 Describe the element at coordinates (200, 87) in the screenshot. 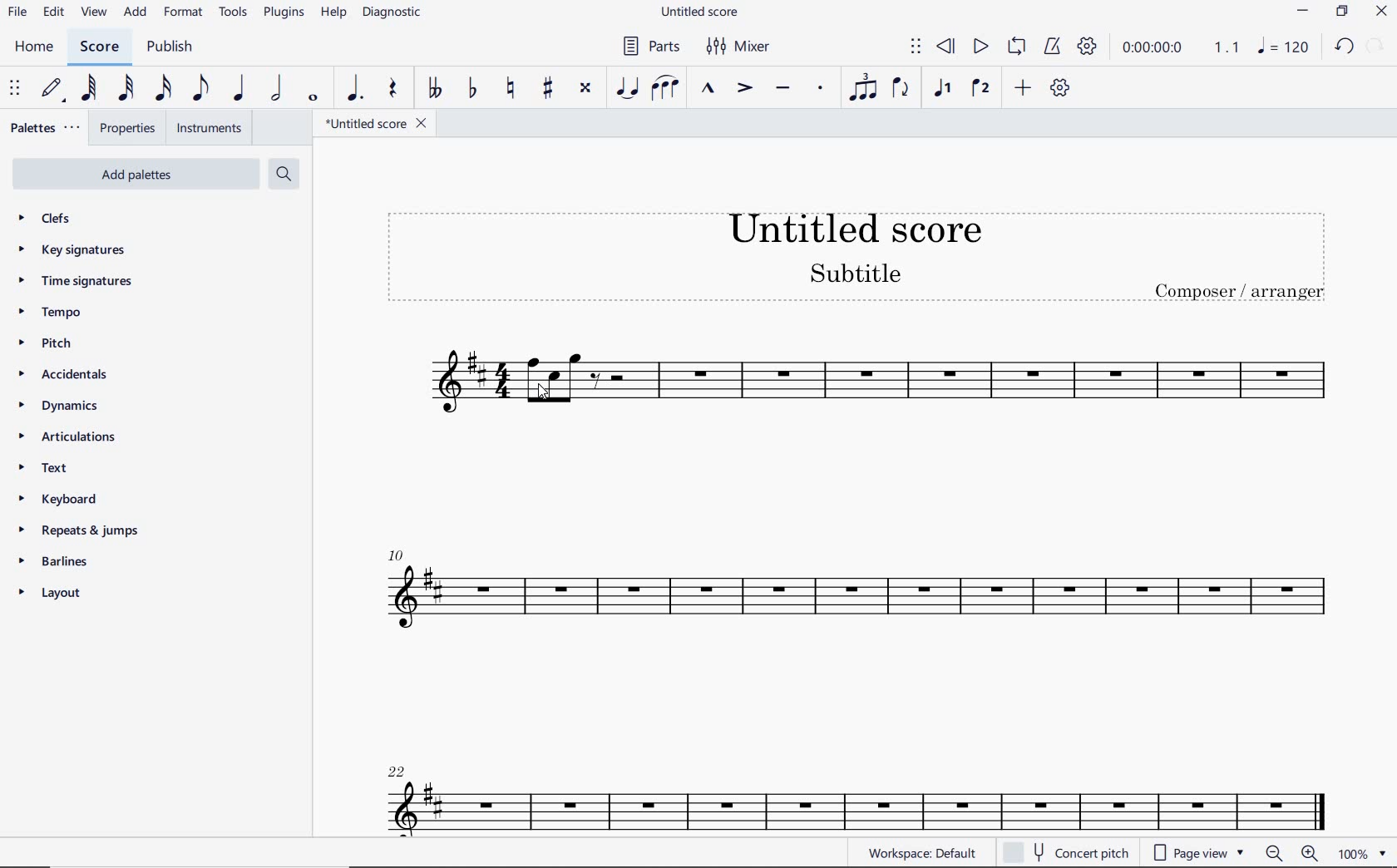

I see `EIGHTH NOTE` at that location.